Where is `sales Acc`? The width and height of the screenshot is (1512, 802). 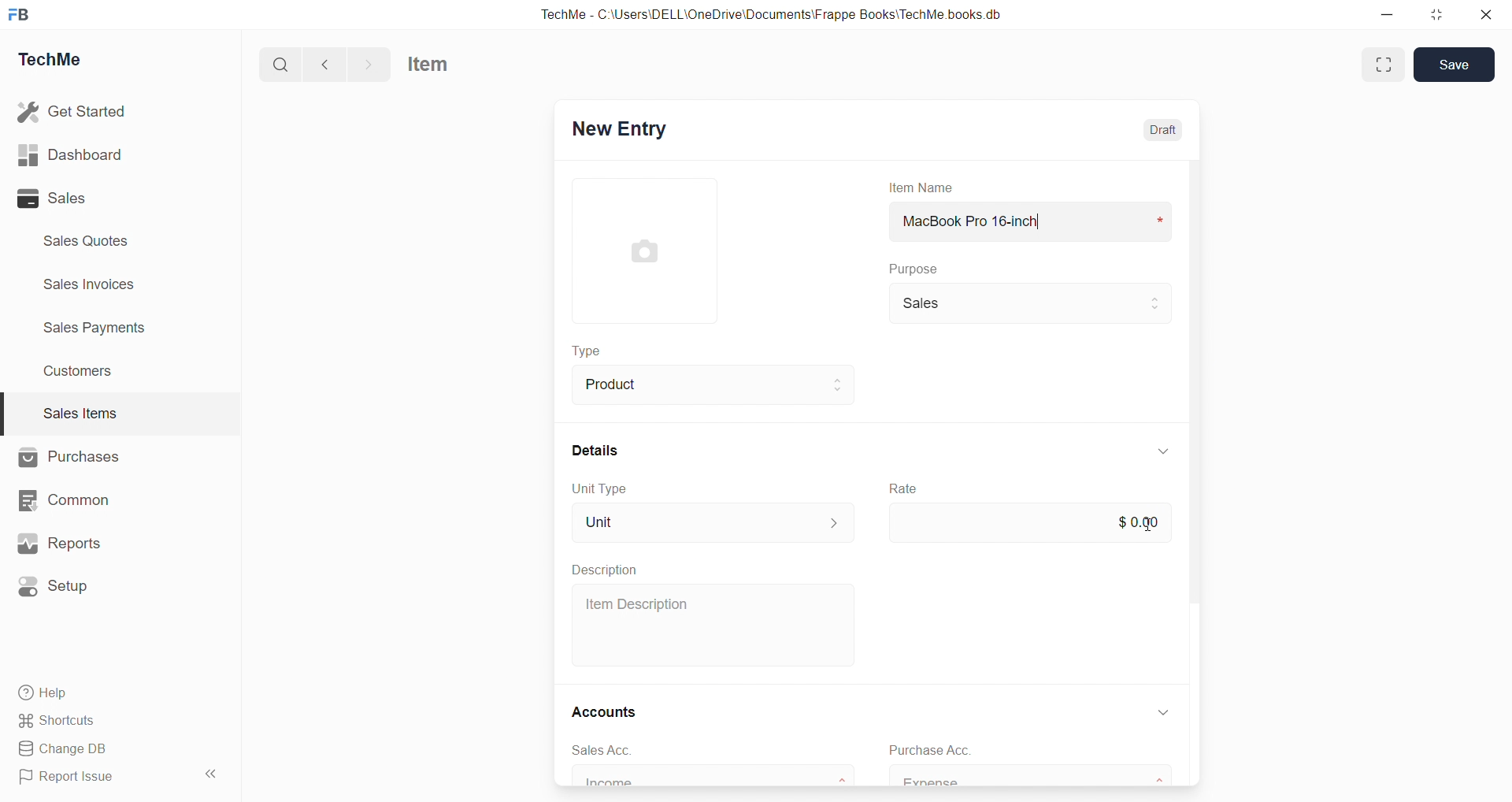
sales Acc is located at coordinates (600, 751).